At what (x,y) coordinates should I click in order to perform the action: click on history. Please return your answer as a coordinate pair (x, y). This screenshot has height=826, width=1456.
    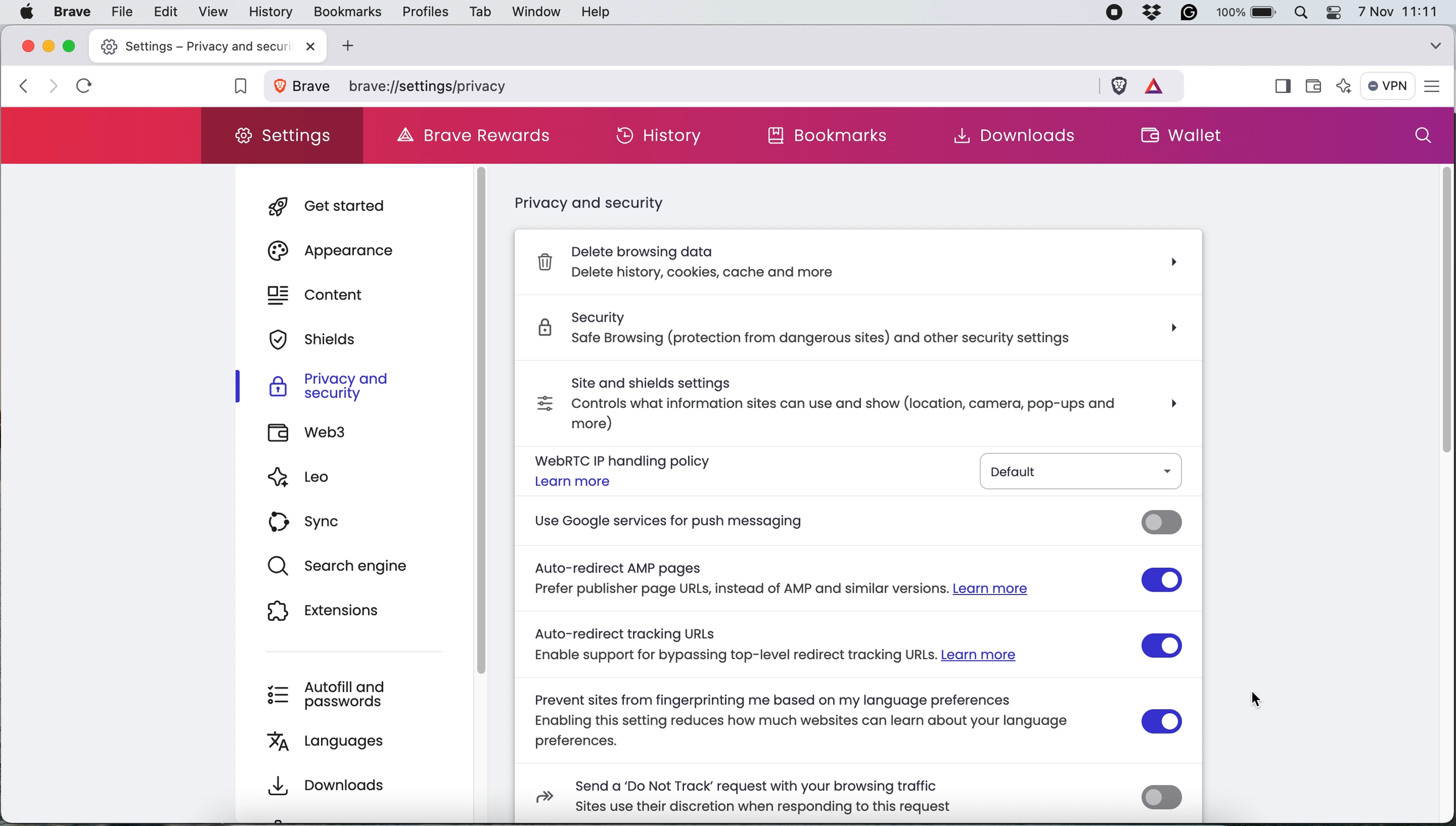
    Looking at the image, I should click on (269, 12).